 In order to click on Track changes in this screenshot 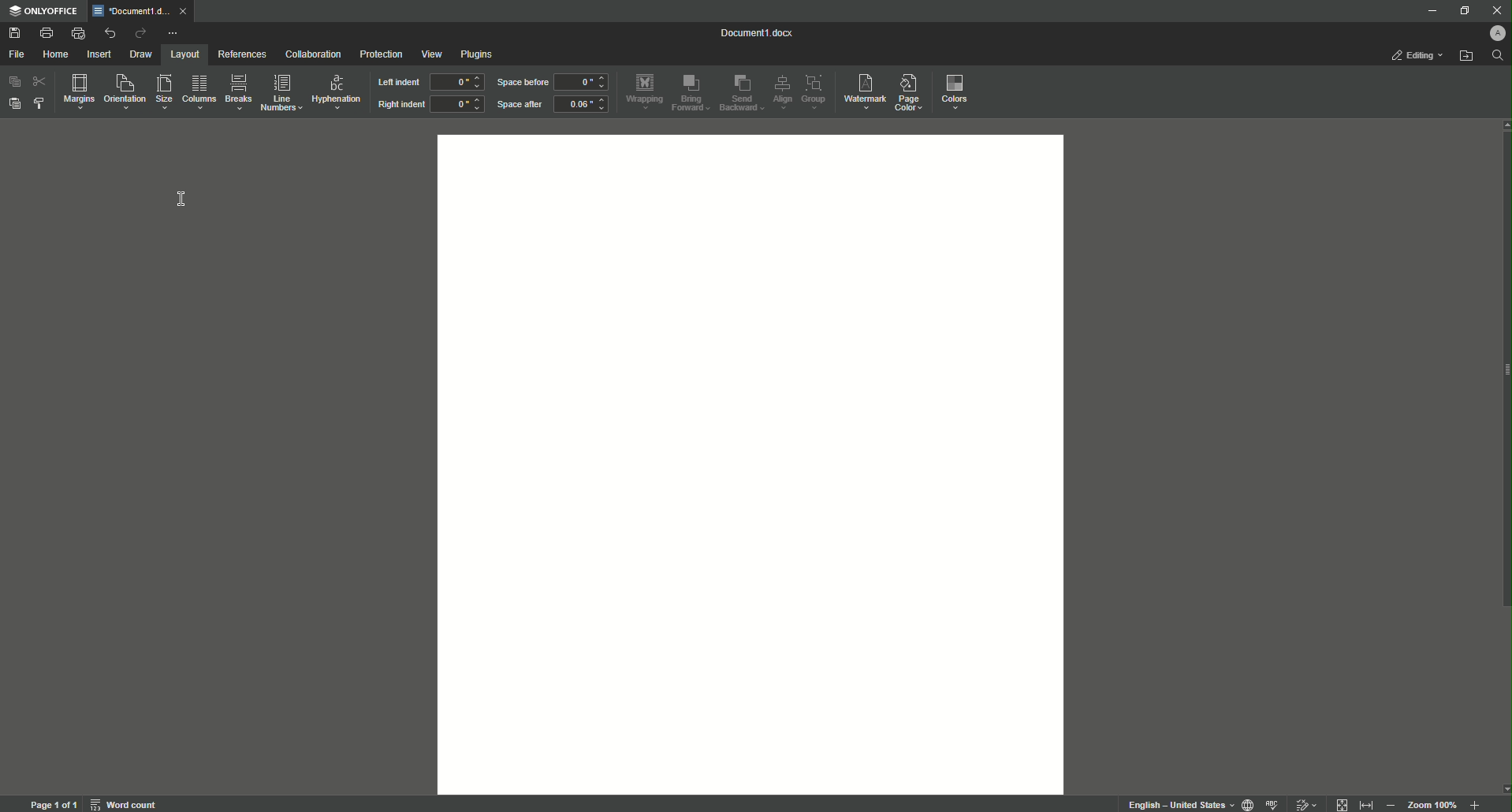, I will do `click(1307, 800)`.